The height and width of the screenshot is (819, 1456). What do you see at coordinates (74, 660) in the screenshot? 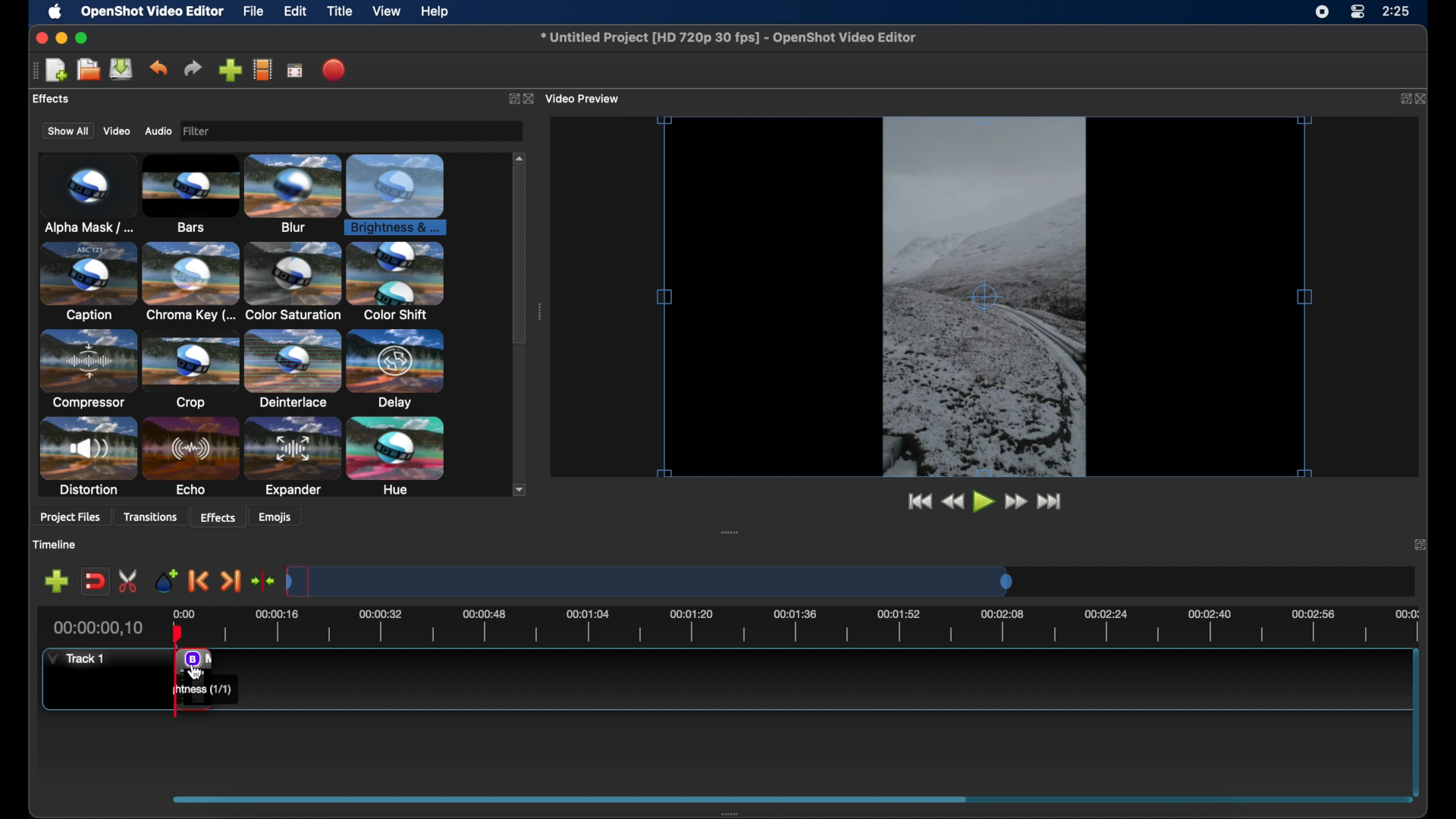
I see `track 1` at bounding box center [74, 660].